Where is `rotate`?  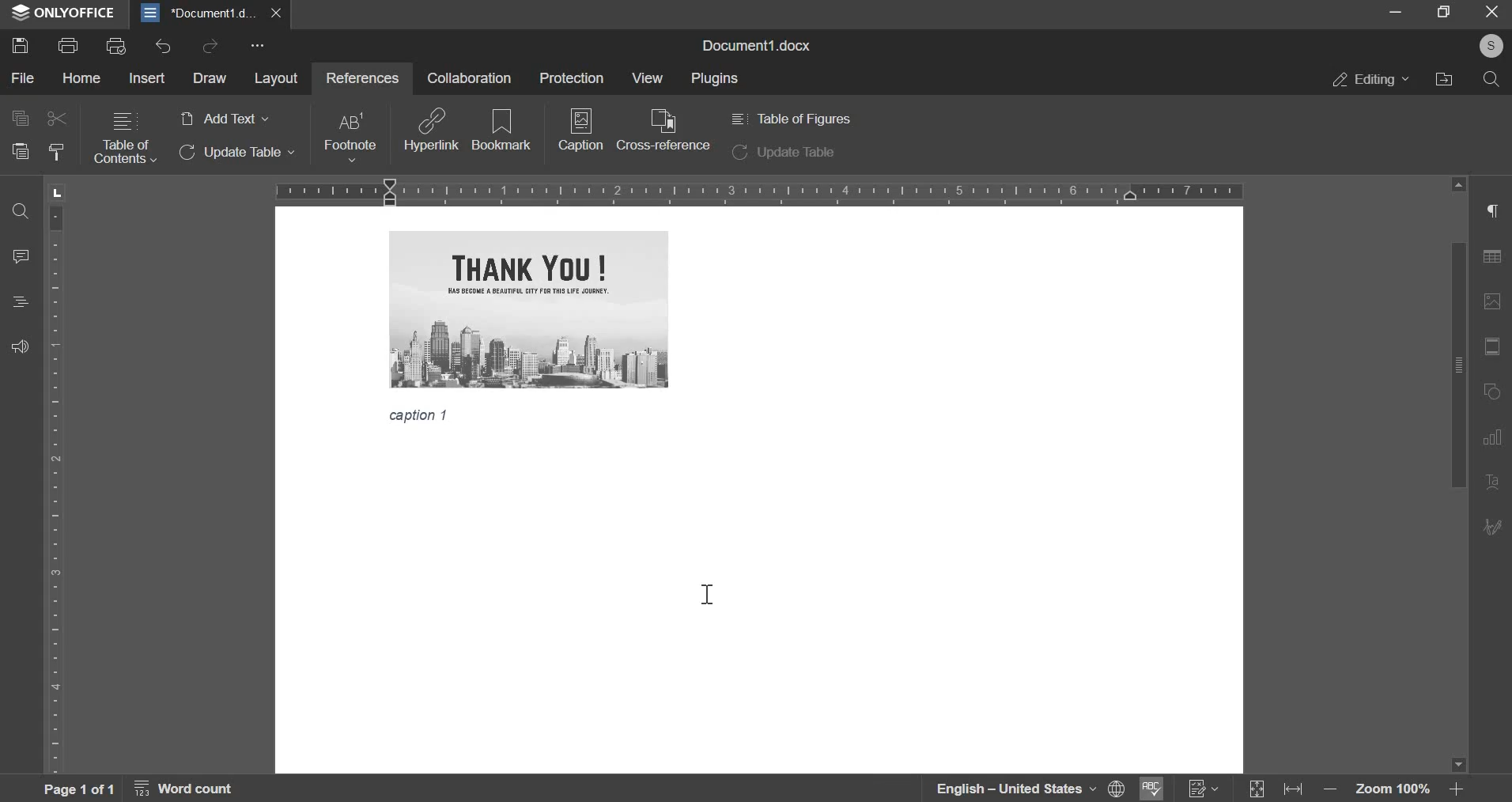 rotate is located at coordinates (1495, 393).